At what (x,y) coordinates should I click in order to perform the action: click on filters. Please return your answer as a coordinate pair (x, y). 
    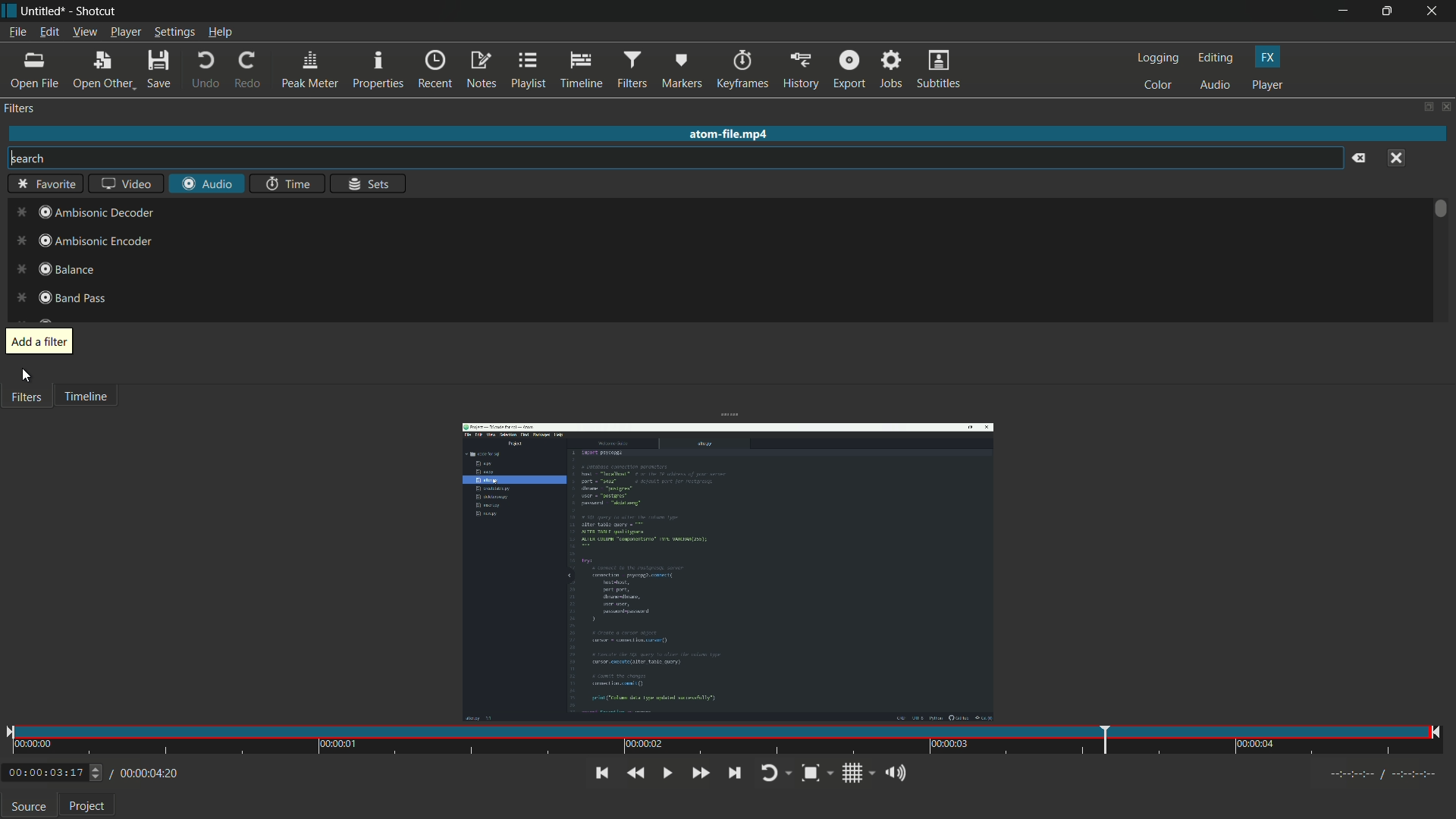
    Looking at the image, I should click on (21, 110).